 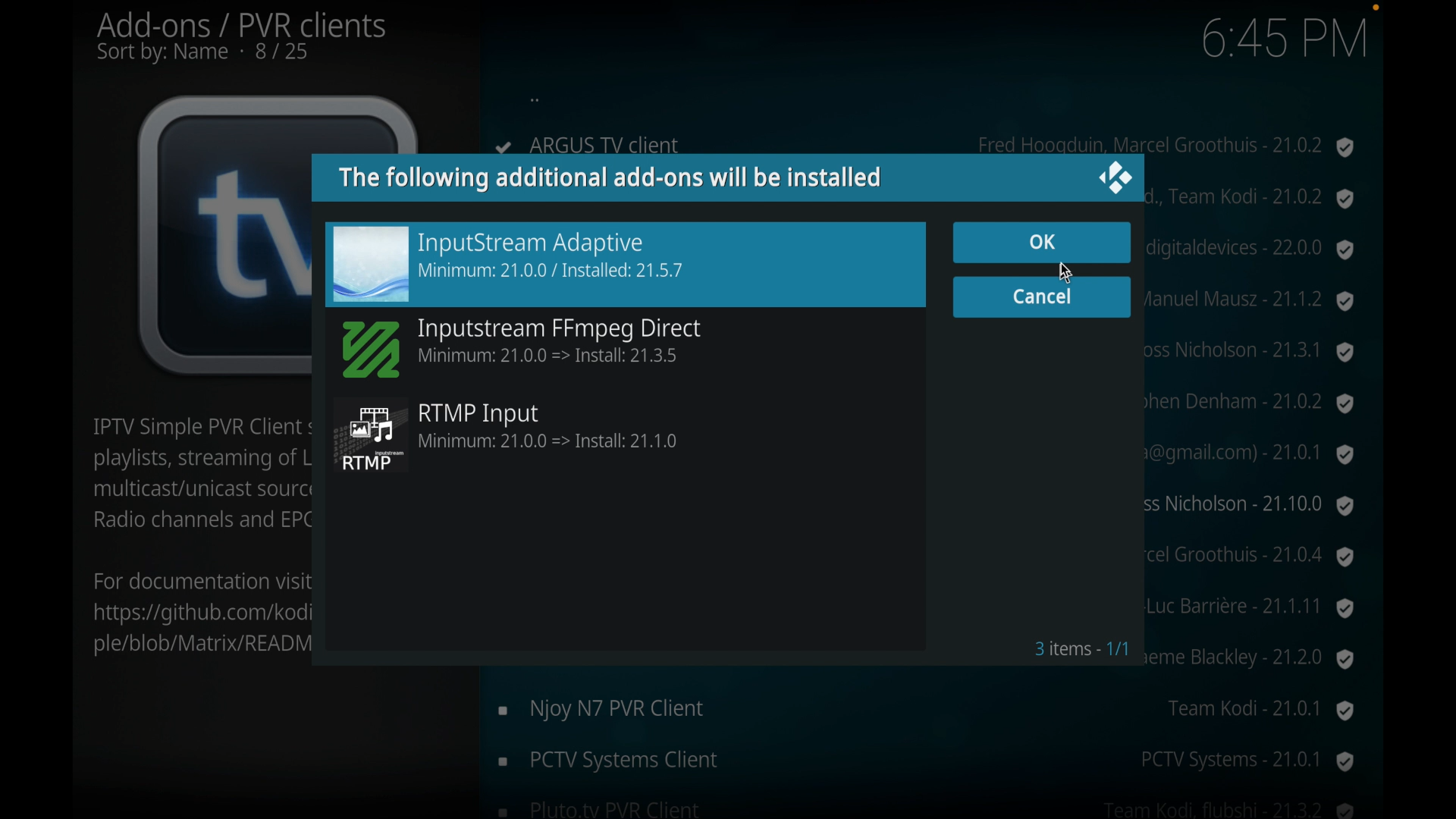 What do you see at coordinates (927, 711) in the screenshot?
I see `enjoy N7 PVR client` at bounding box center [927, 711].